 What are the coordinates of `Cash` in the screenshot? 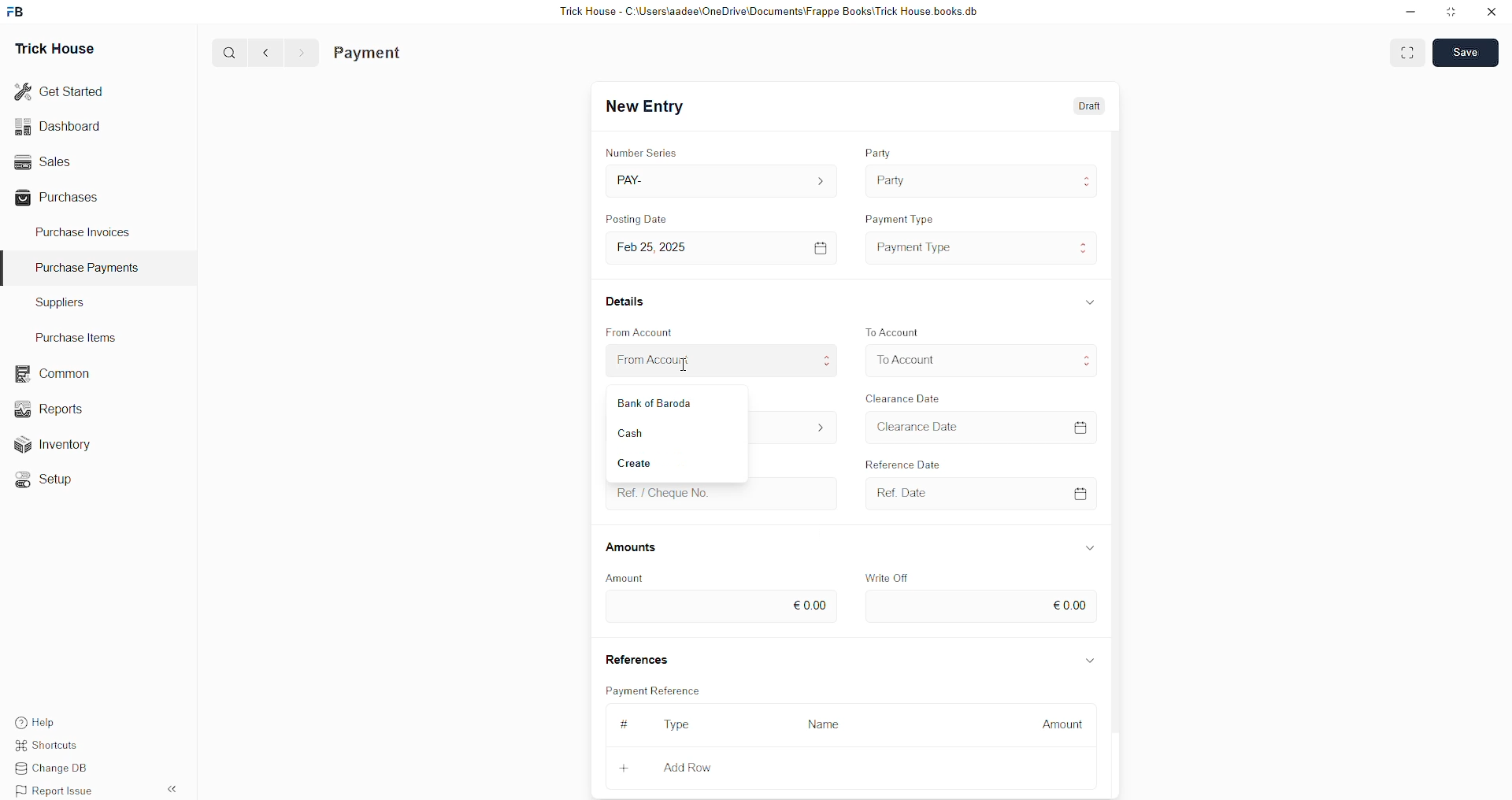 It's located at (657, 429).